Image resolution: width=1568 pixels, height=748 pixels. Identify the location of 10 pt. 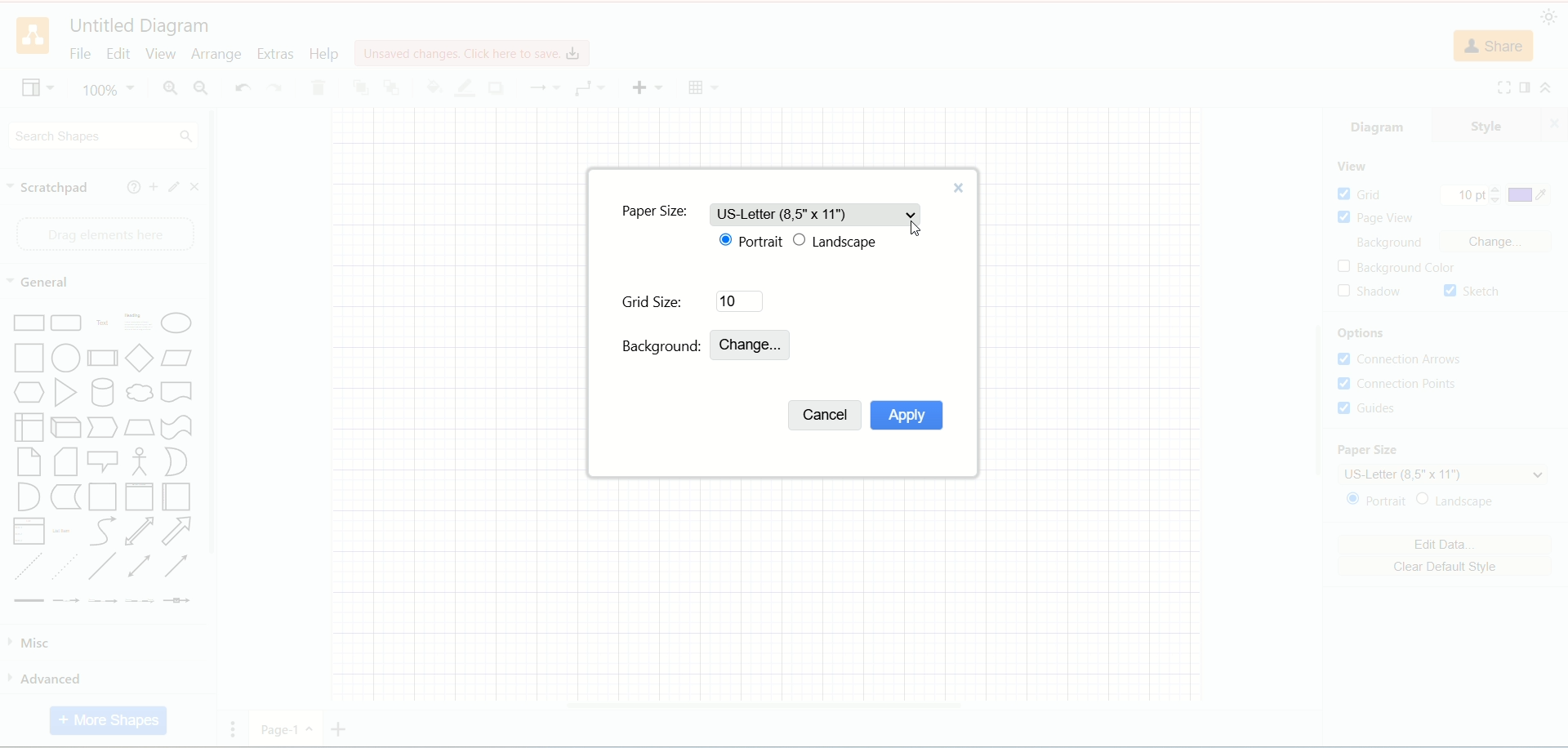
(1471, 196).